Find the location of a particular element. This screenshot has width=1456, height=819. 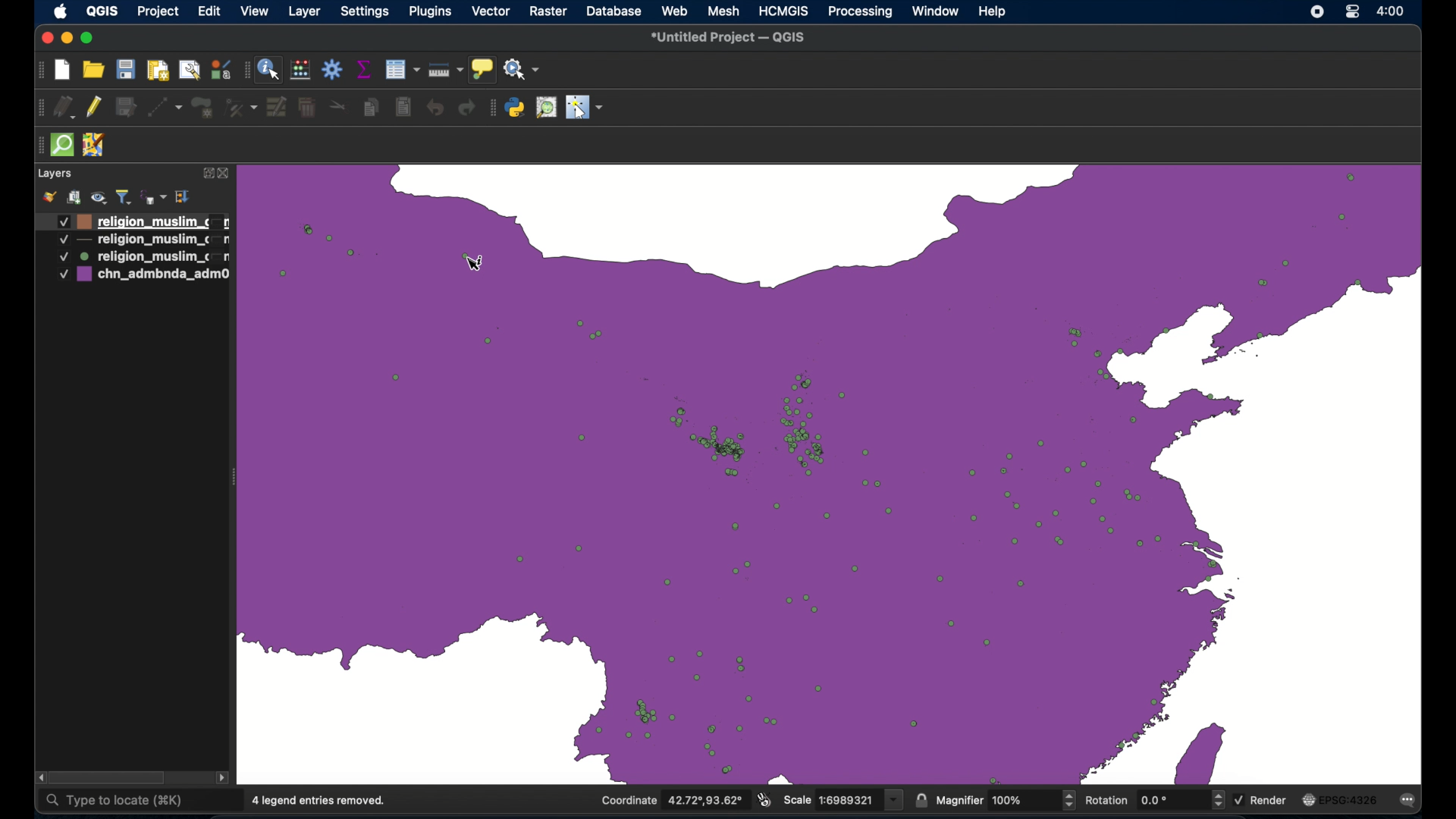

scroll box is located at coordinates (108, 777).